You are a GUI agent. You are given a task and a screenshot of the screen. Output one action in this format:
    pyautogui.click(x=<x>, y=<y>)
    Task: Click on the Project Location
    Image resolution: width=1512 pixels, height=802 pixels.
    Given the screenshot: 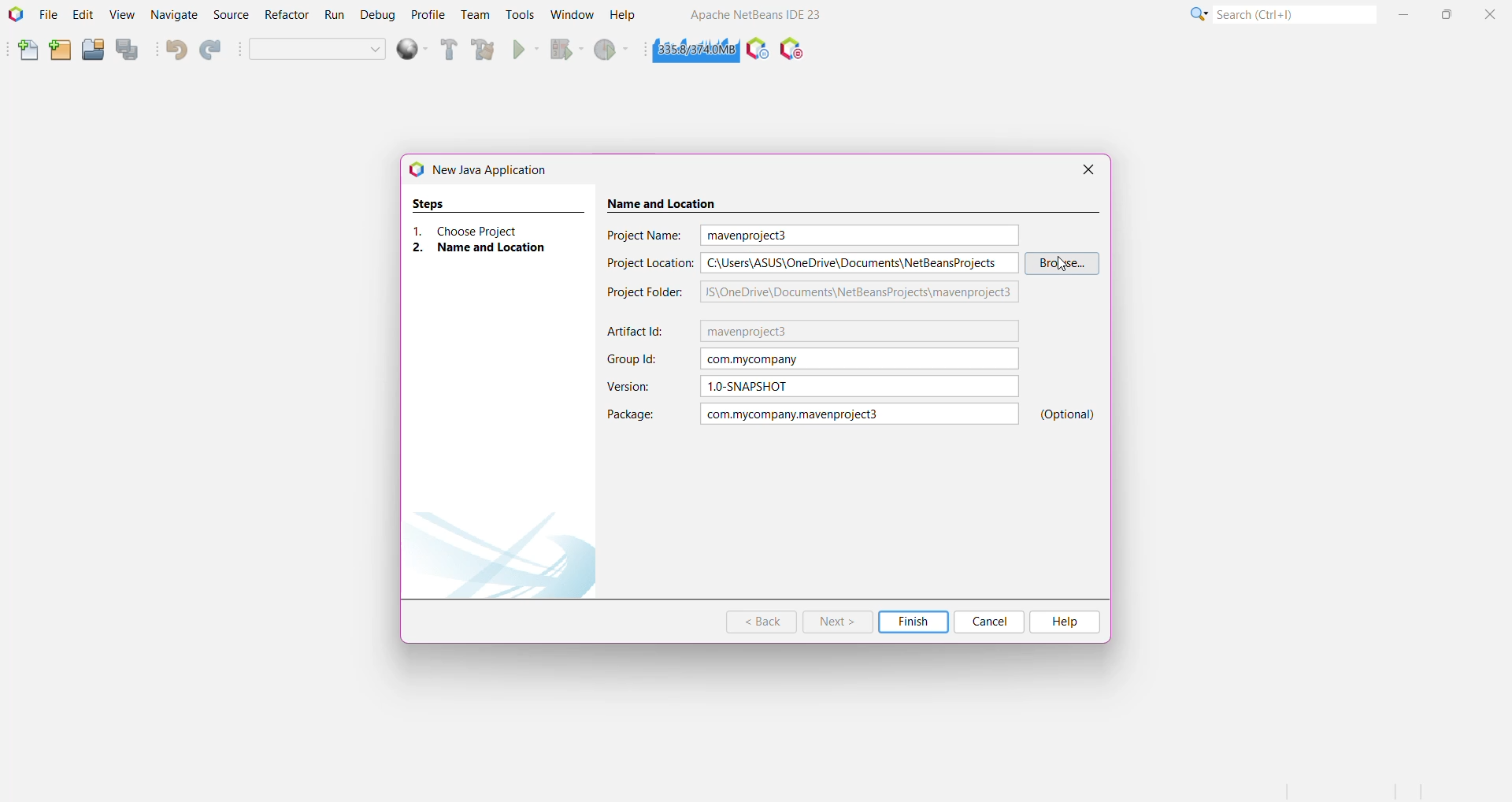 What is the action you would take?
    pyautogui.click(x=649, y=263)
    